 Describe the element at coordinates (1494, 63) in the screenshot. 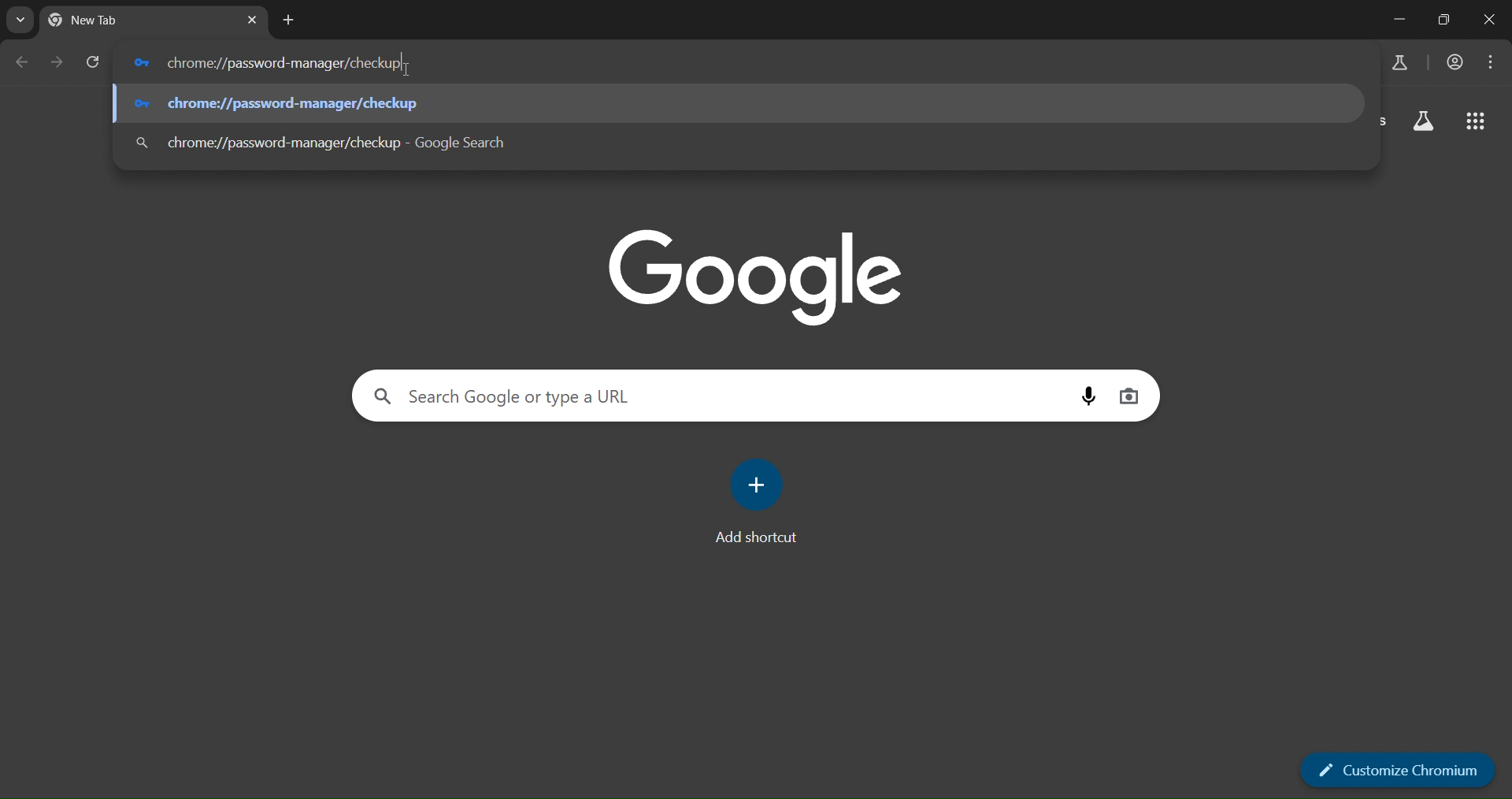

I see `menu` at that location.